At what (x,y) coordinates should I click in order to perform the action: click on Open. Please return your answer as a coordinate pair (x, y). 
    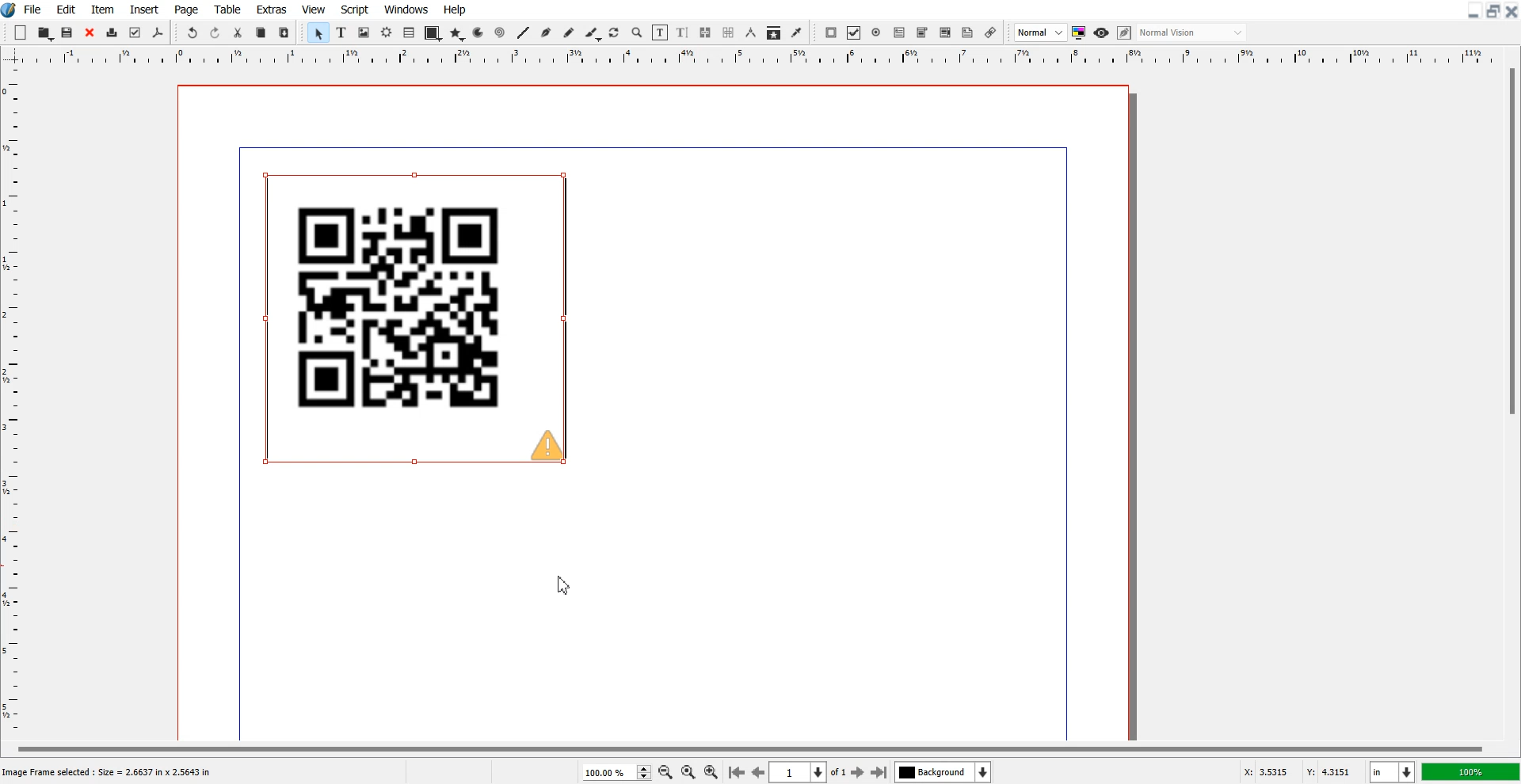
    Looking at the image, I should click on (69, 32).